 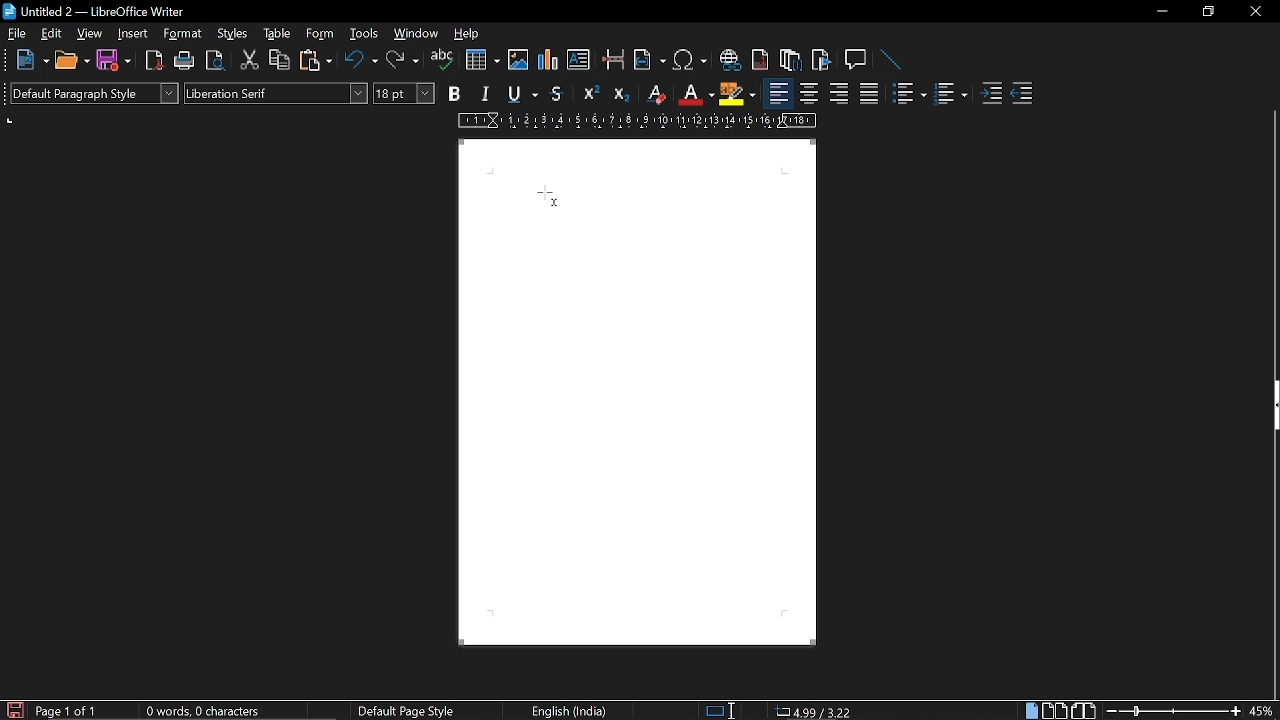 What do you see at coordinates (908, 94) in the screenshot?
I see `toggle unordered list` at bounding box center [908, 94].